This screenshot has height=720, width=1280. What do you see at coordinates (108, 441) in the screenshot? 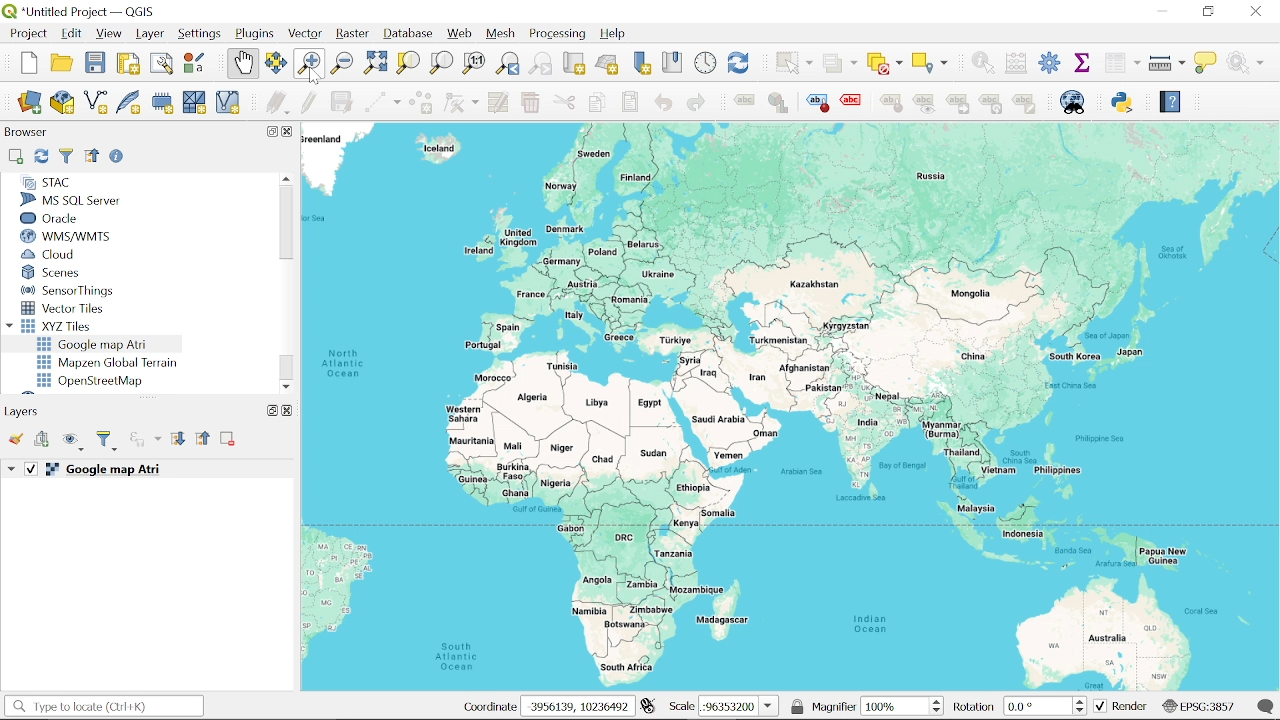
I see `Filter legend` at bounding box center [108, 441].